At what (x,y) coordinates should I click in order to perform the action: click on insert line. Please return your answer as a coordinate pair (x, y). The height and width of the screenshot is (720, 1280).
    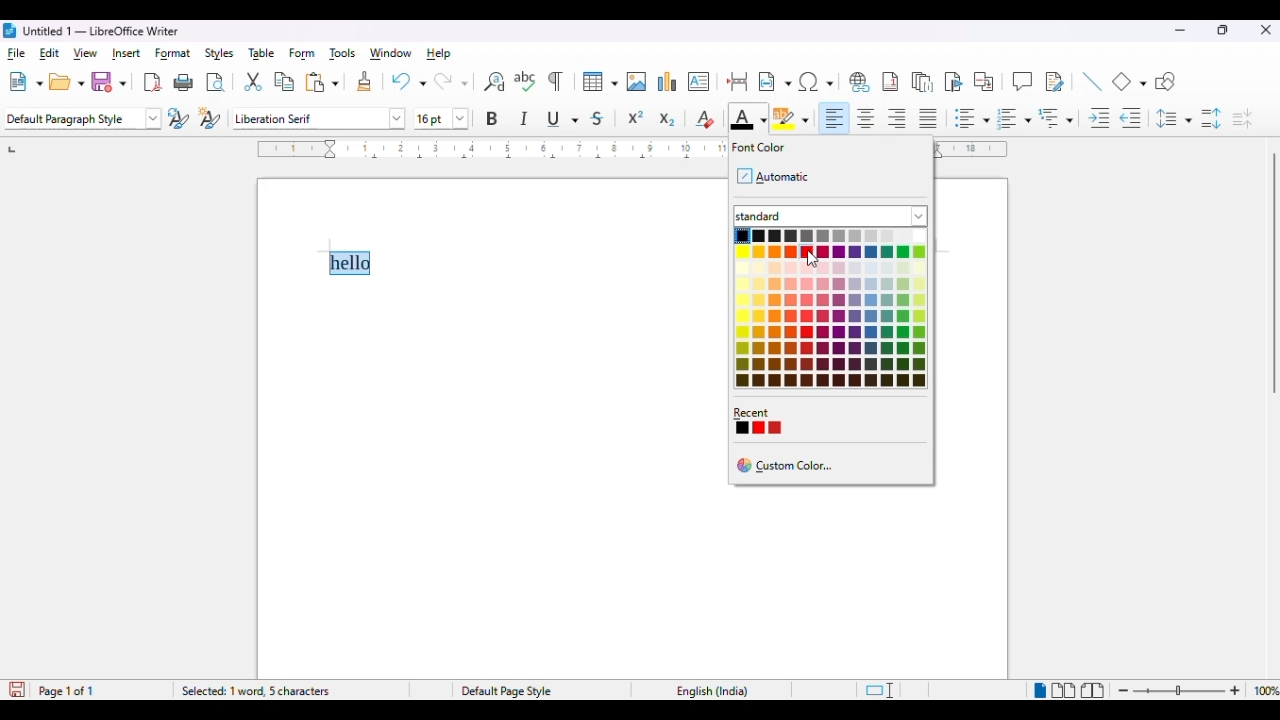
    Looking at the image, I should click on (1091, 81).